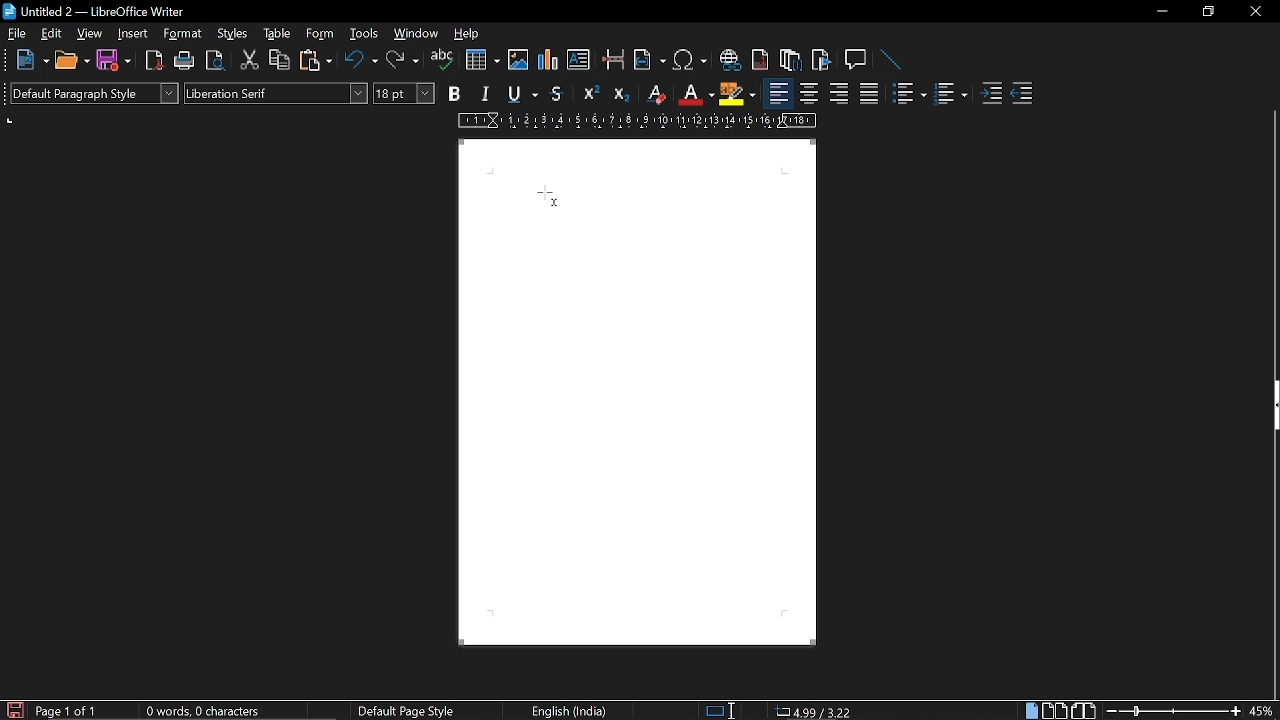 The width and height of the screenshot is (1280, 720). Describe the element at coordinates (518, 62) in the screenshot. I see `insert image` at that location.